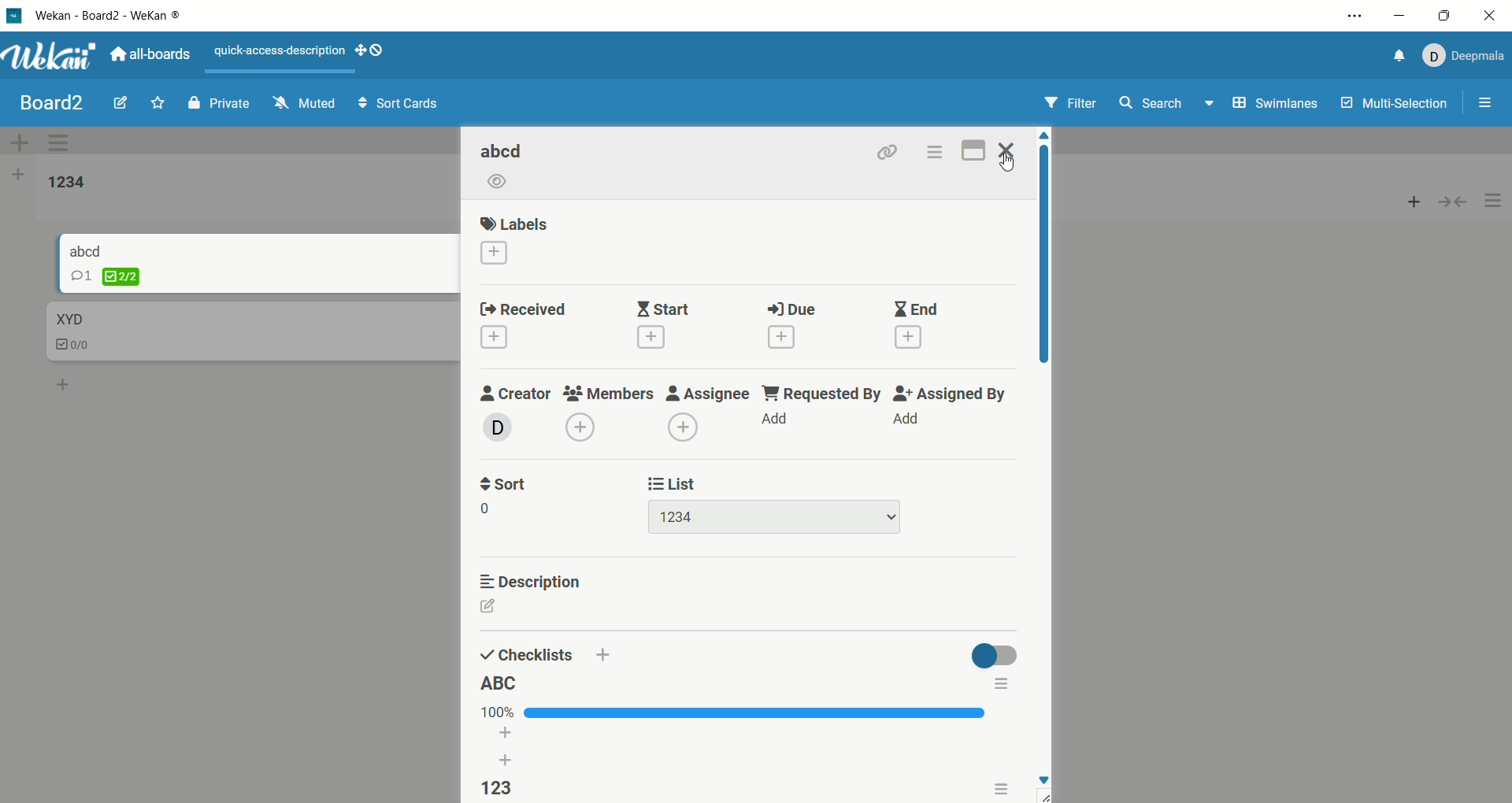 This screenshot has height=803, width=1512. What do you see at coordinates (157, 56) in the screenshot?
I see `all boards` at bounding box center [157, 56].